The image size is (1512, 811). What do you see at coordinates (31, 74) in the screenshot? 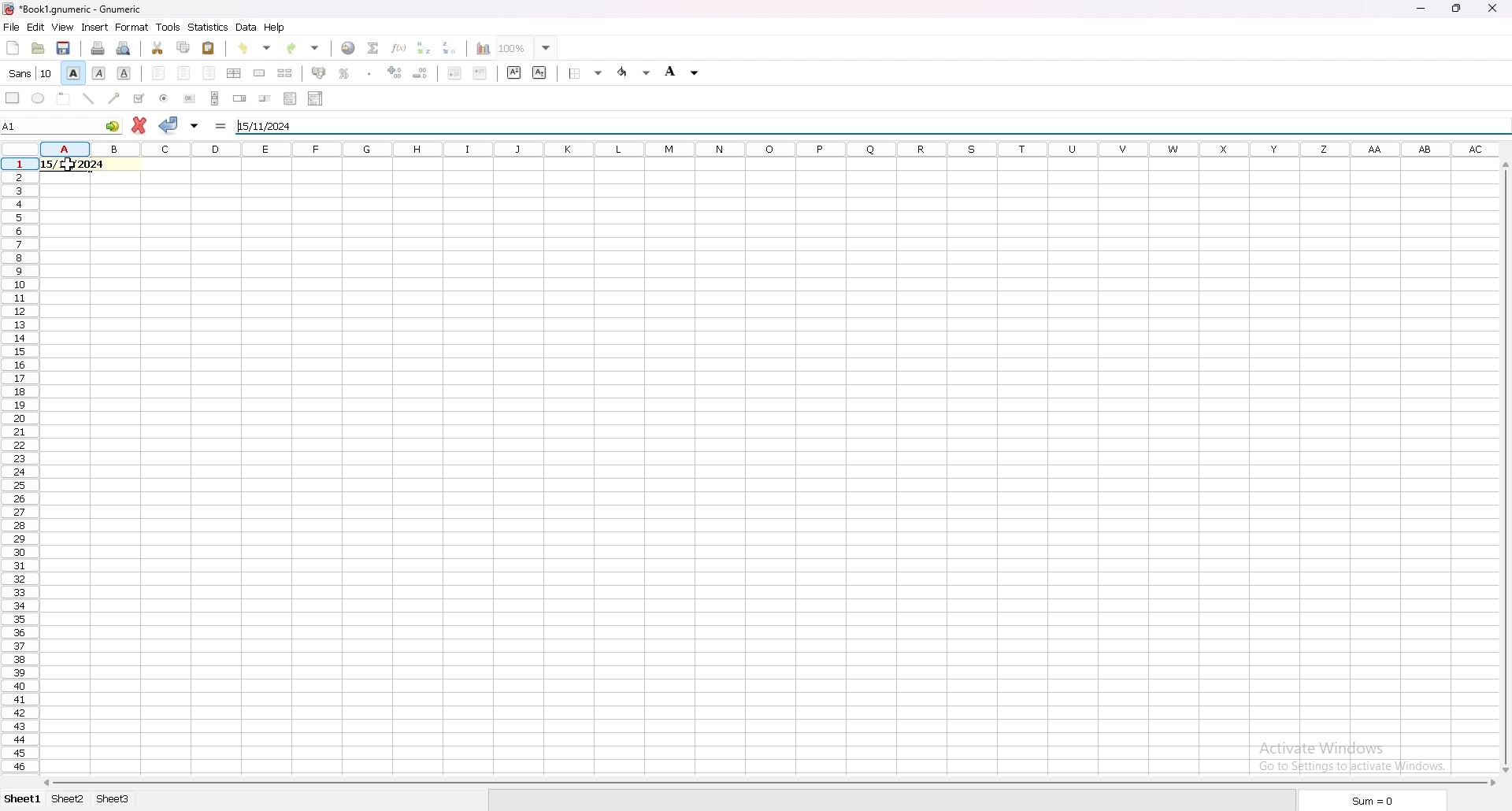
I see `font` at bounding box center [31, 74].